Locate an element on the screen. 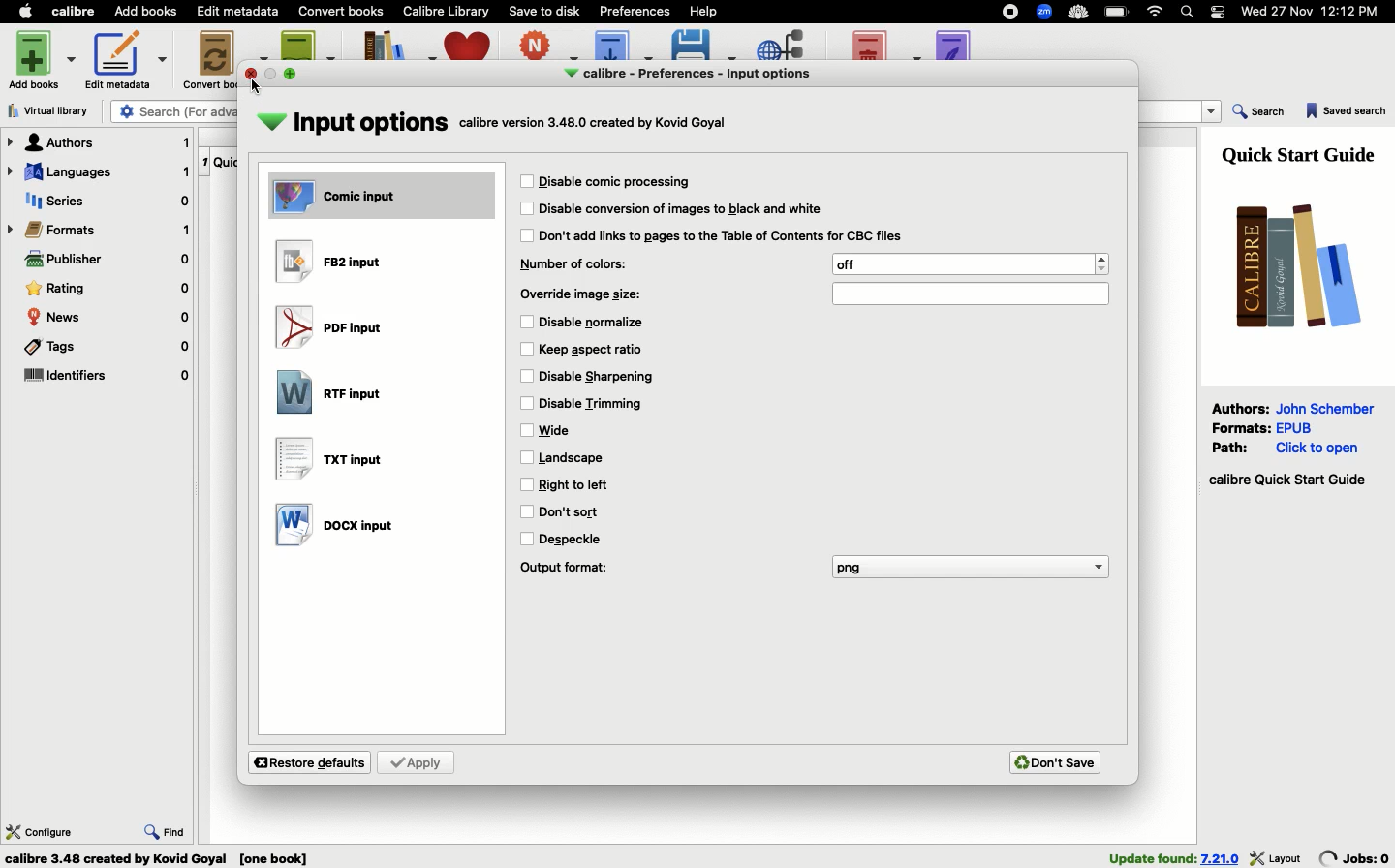  Checkbox is located at coordinates (526, 458).